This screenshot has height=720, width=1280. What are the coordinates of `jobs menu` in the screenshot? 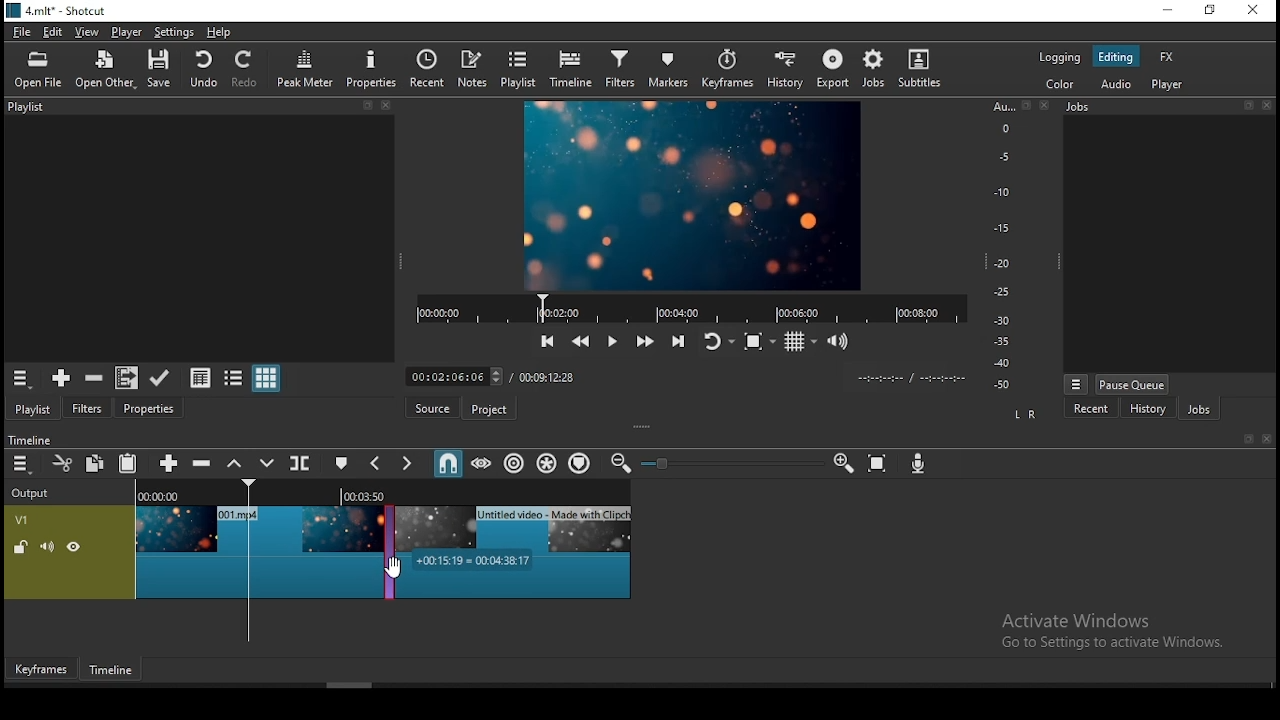 It's located at (1076, 385).